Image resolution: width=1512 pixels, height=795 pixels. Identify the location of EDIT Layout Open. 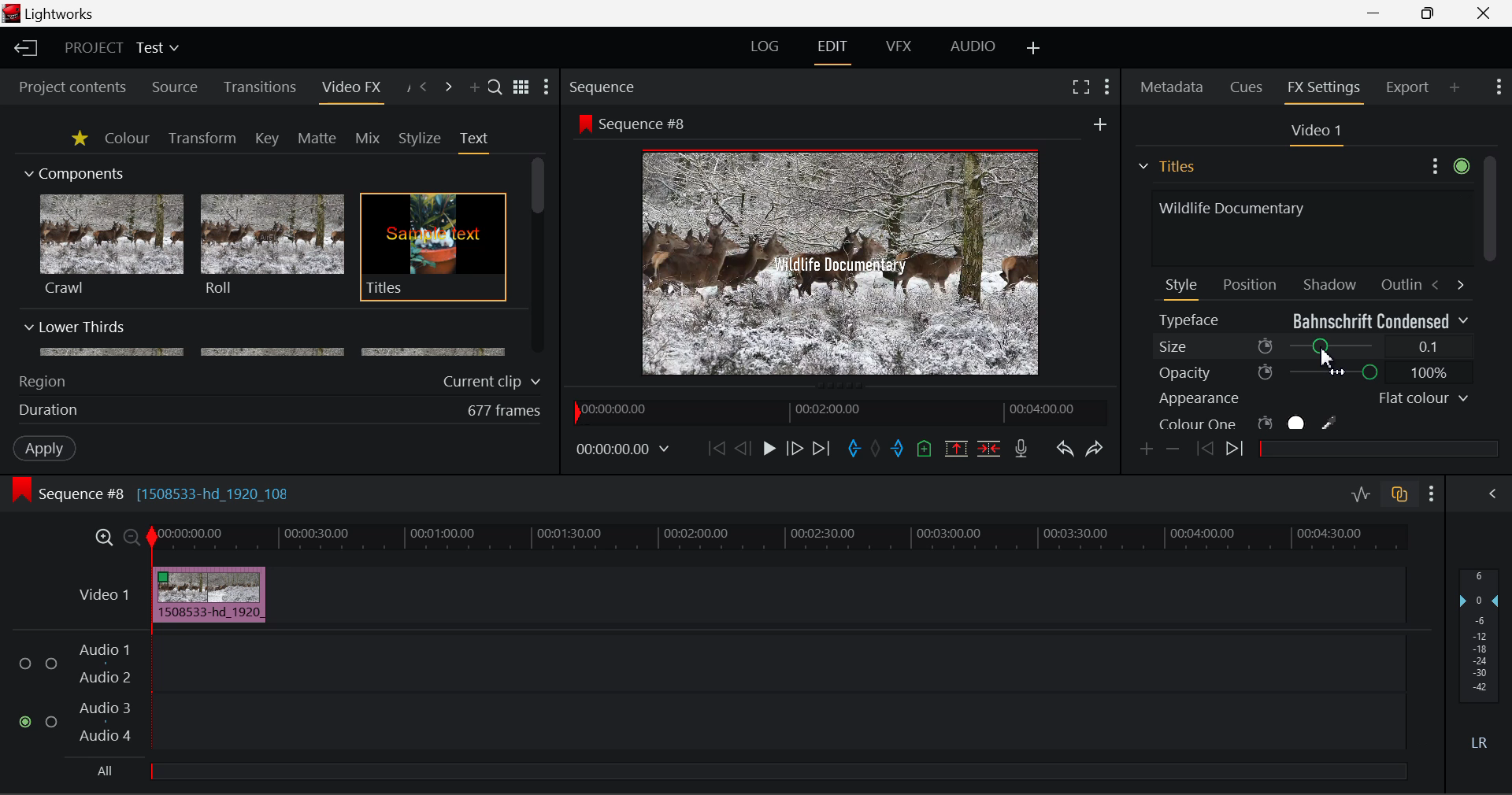
(836, 52).